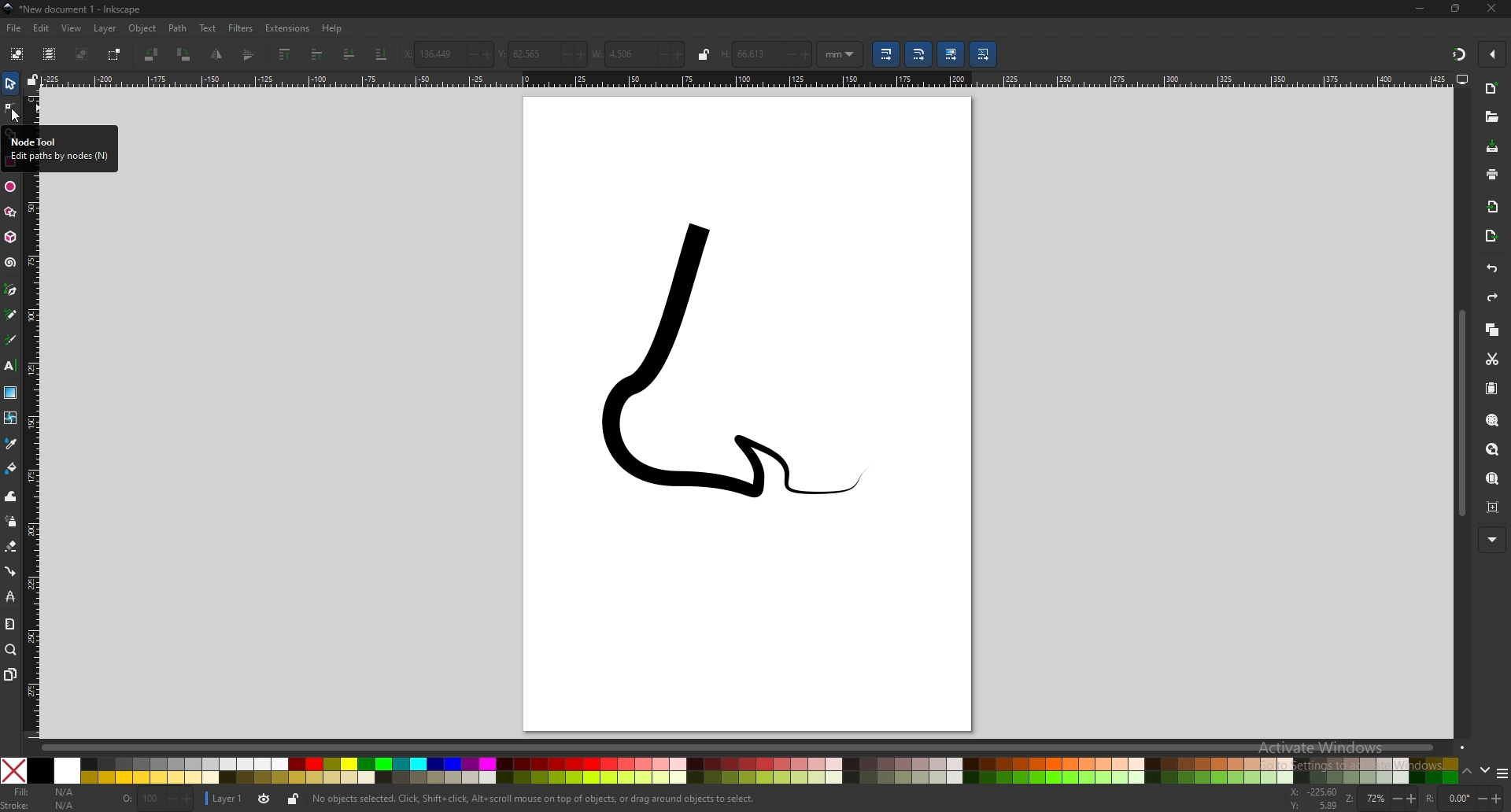  Describe the element at coordinates (12, 186) in the screenshot. I see `ellipse` at that location.